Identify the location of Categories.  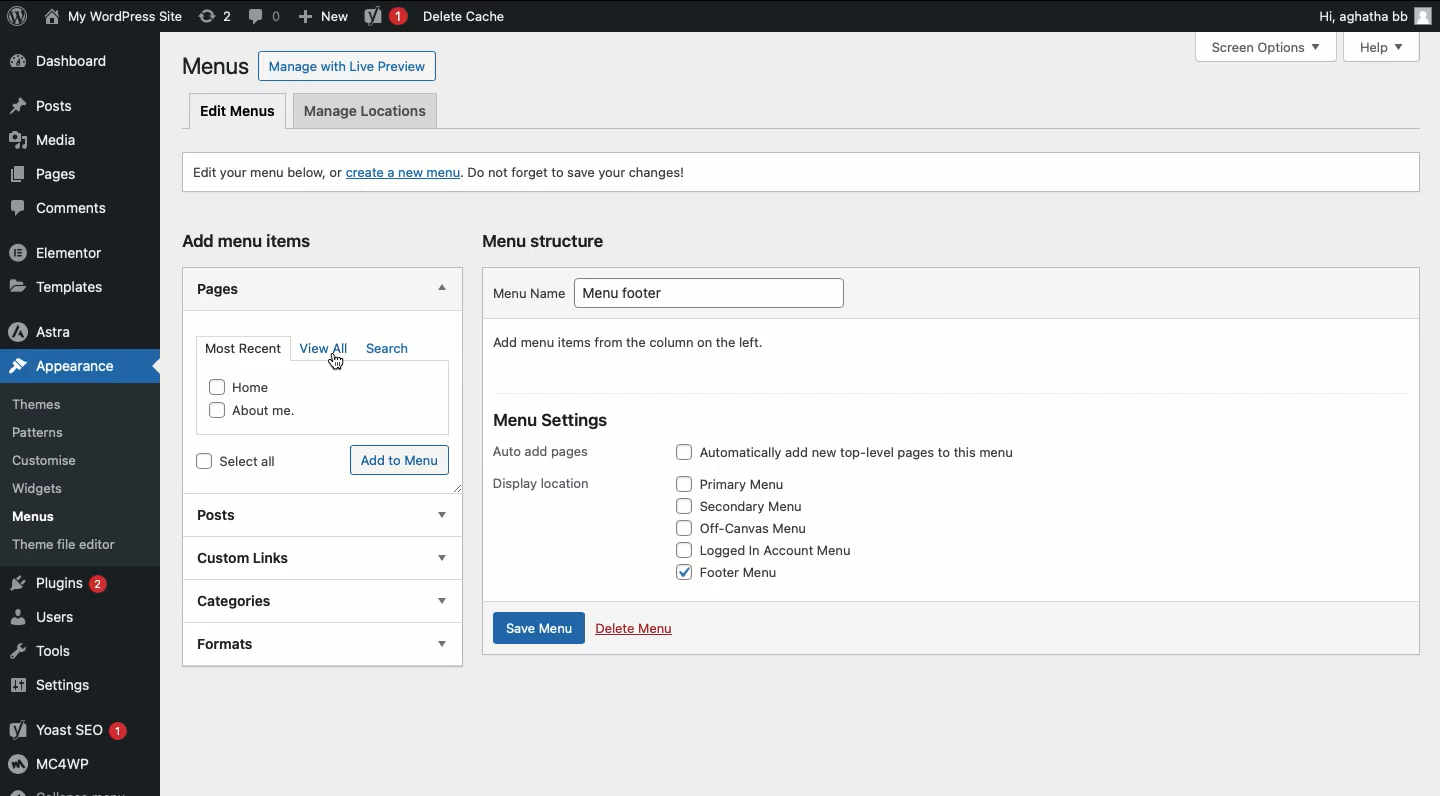
(297, 599).